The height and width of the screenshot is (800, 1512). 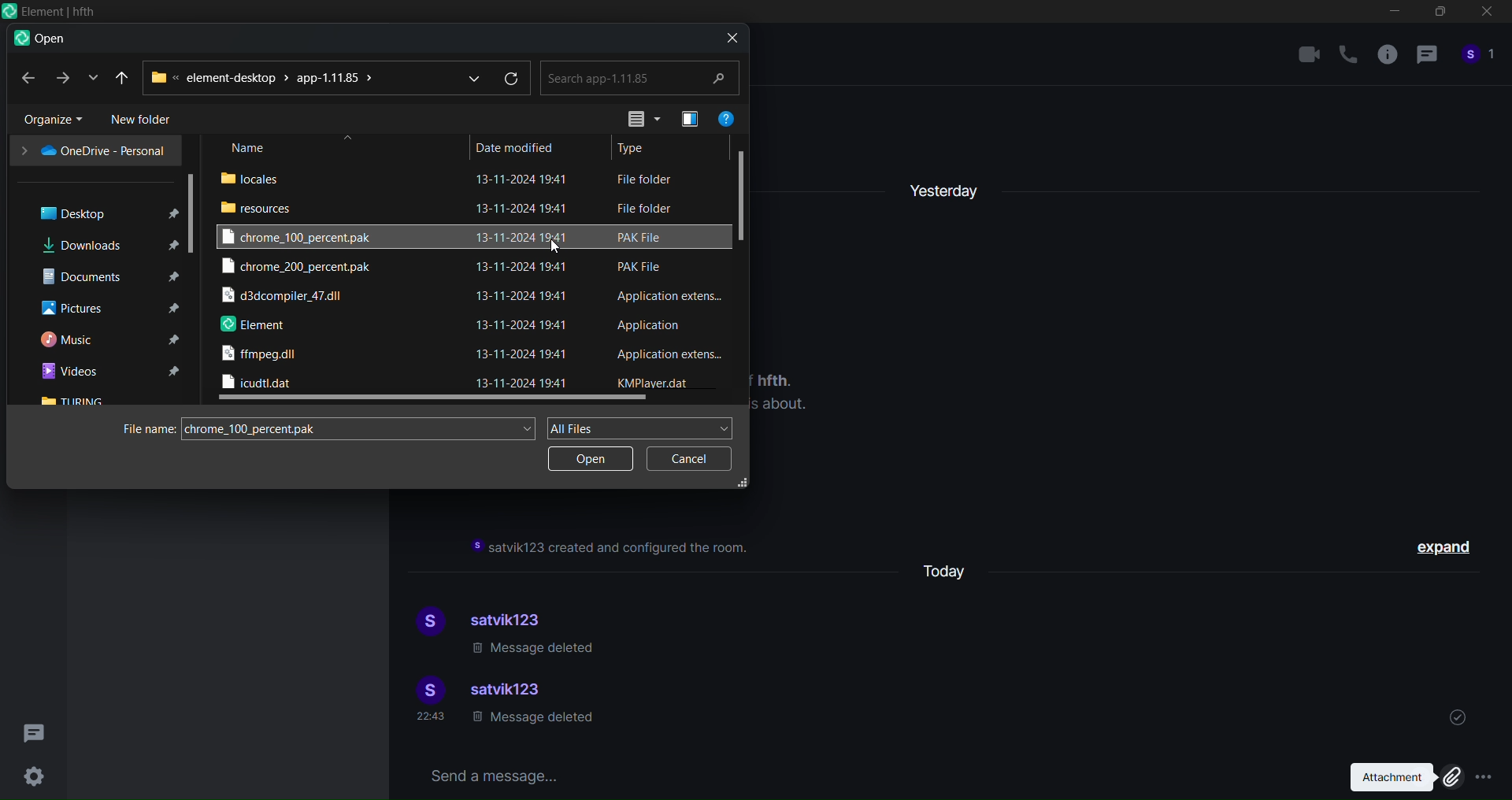 What do you see at coordinates (1309, 54) in the screenshot?
I see `video call` at bounding box center [1309, 54].